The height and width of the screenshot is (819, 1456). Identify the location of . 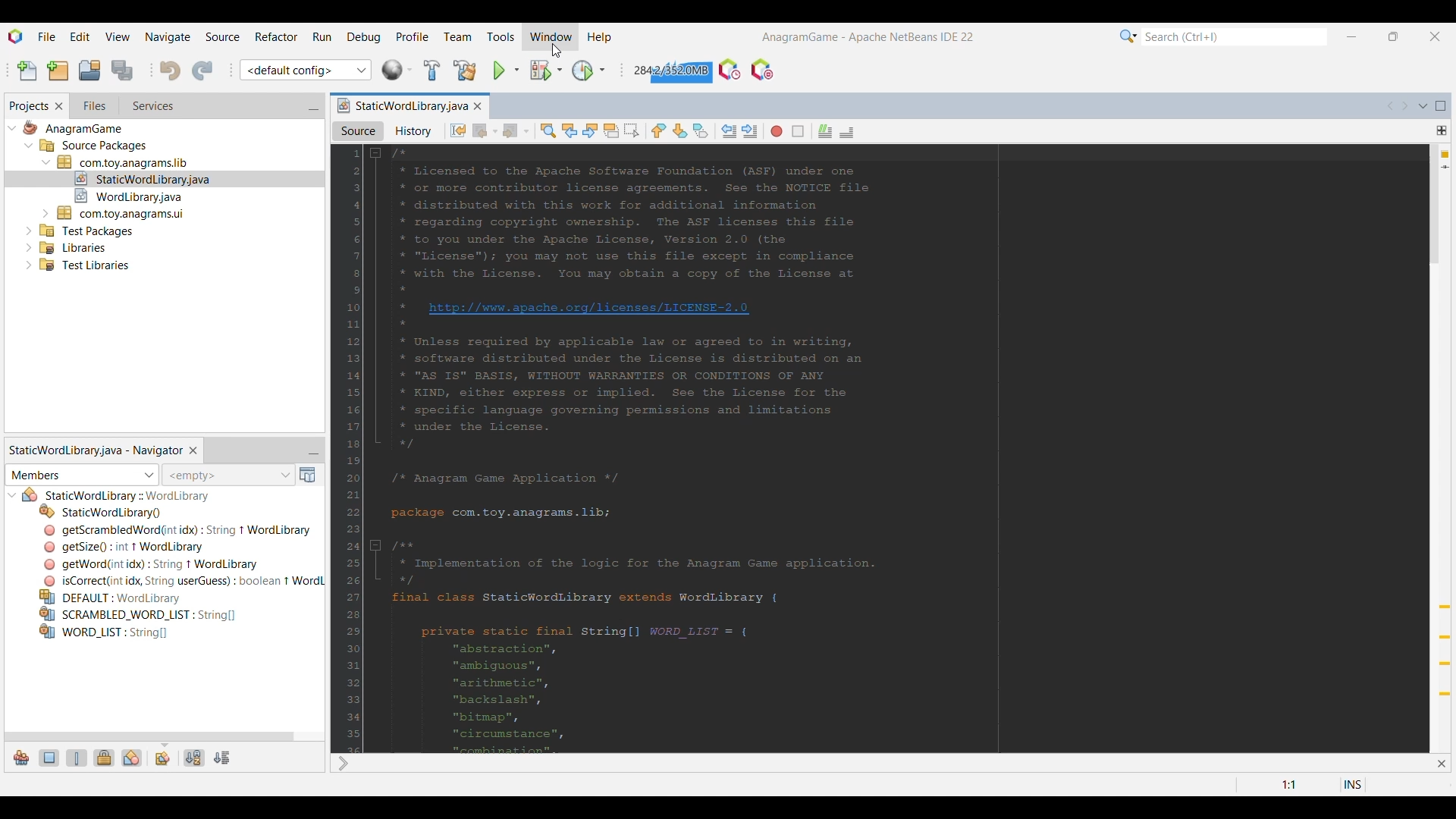
(123, 546).